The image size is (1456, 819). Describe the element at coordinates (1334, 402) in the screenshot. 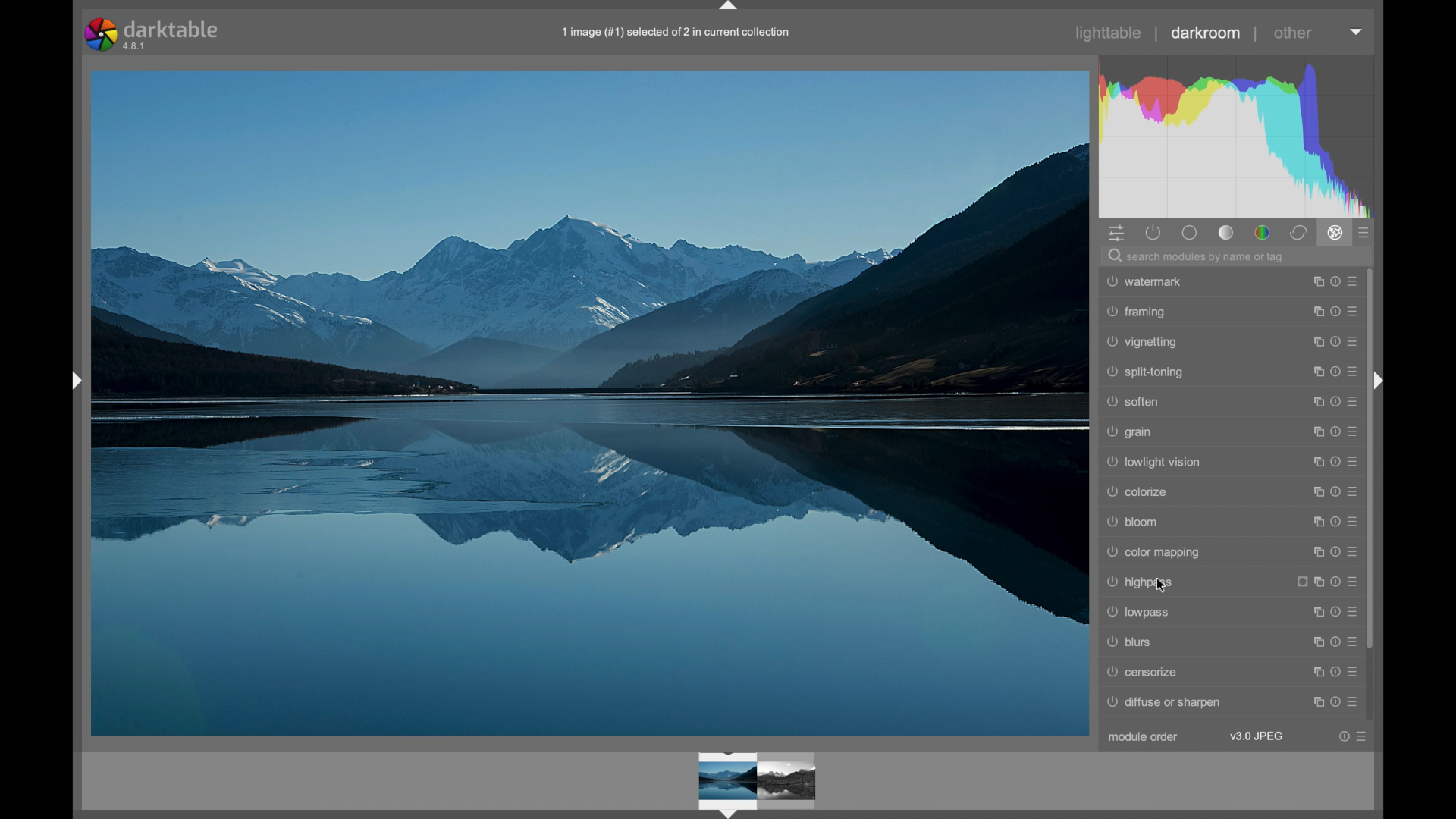

I see `more options` at that location.